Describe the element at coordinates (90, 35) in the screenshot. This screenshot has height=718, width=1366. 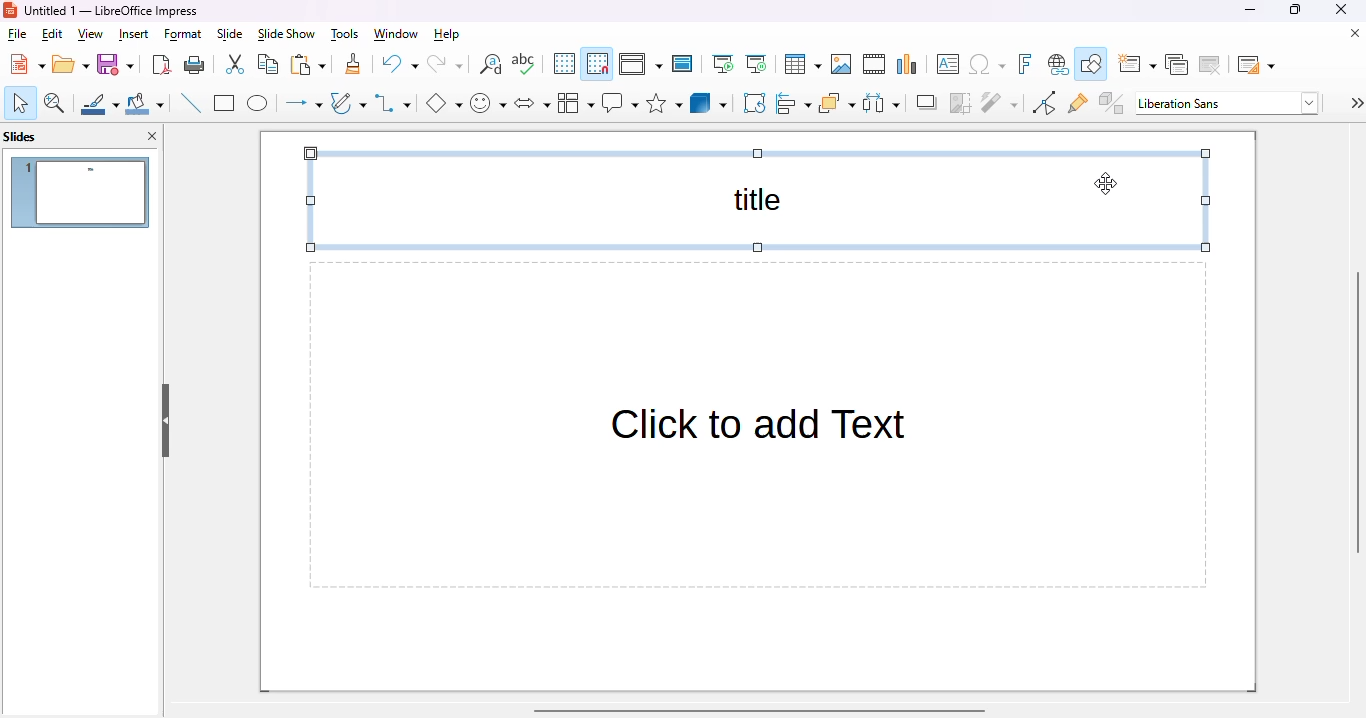
I see `view` at that location.